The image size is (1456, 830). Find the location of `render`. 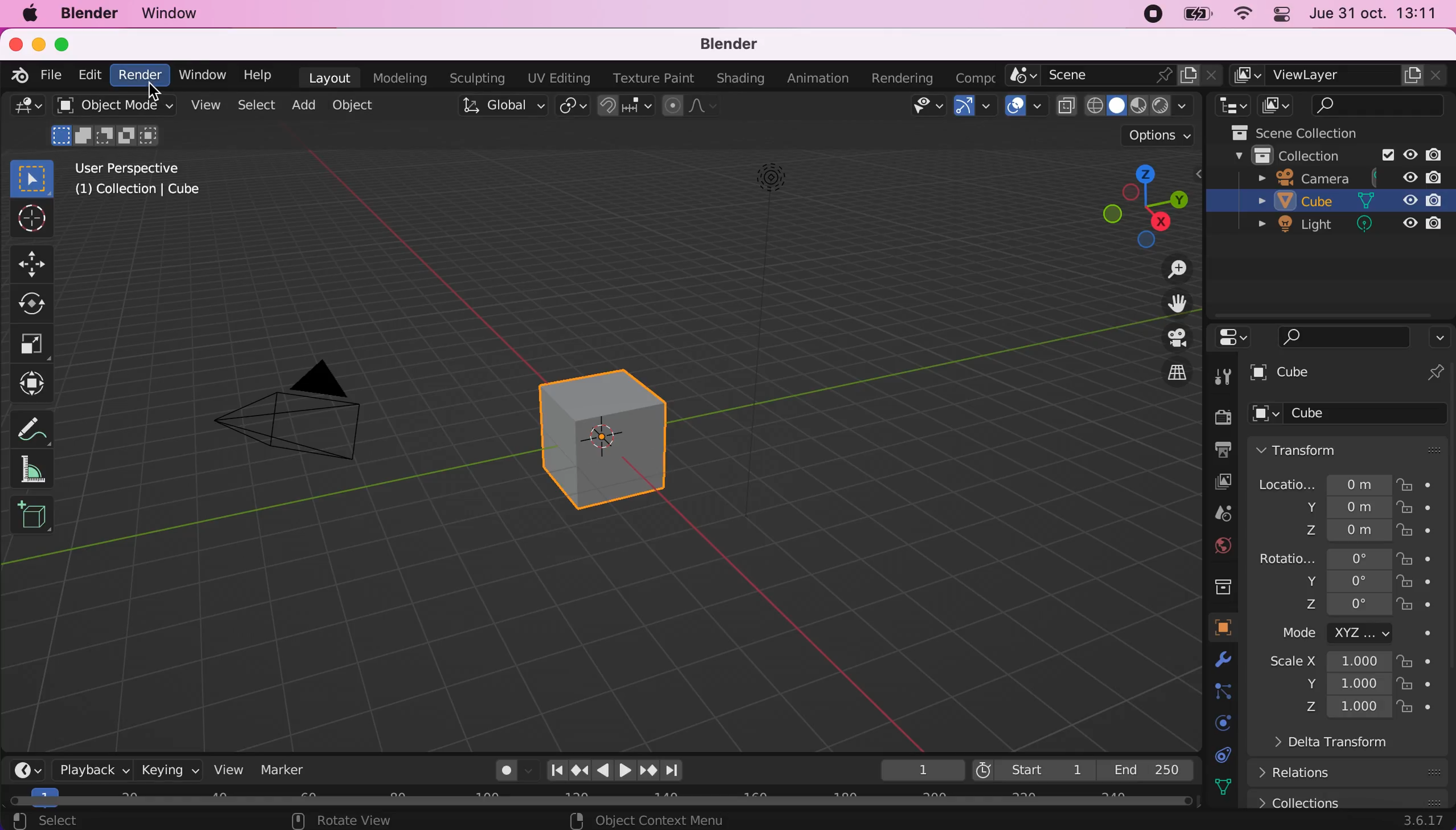

render is located at coordinates (1222, 418).